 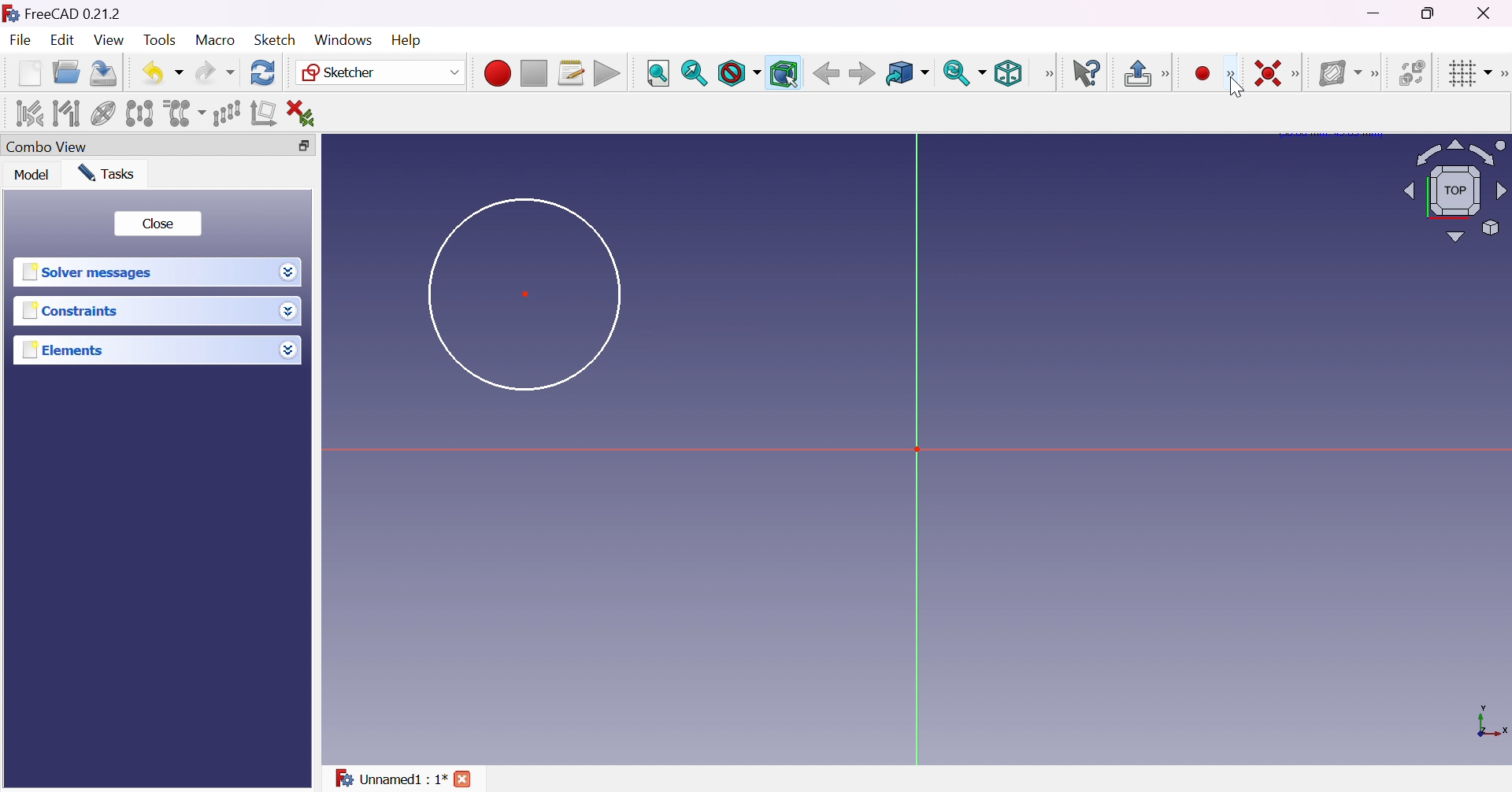 I want to click on Fit all, so click(x=658, y=74).